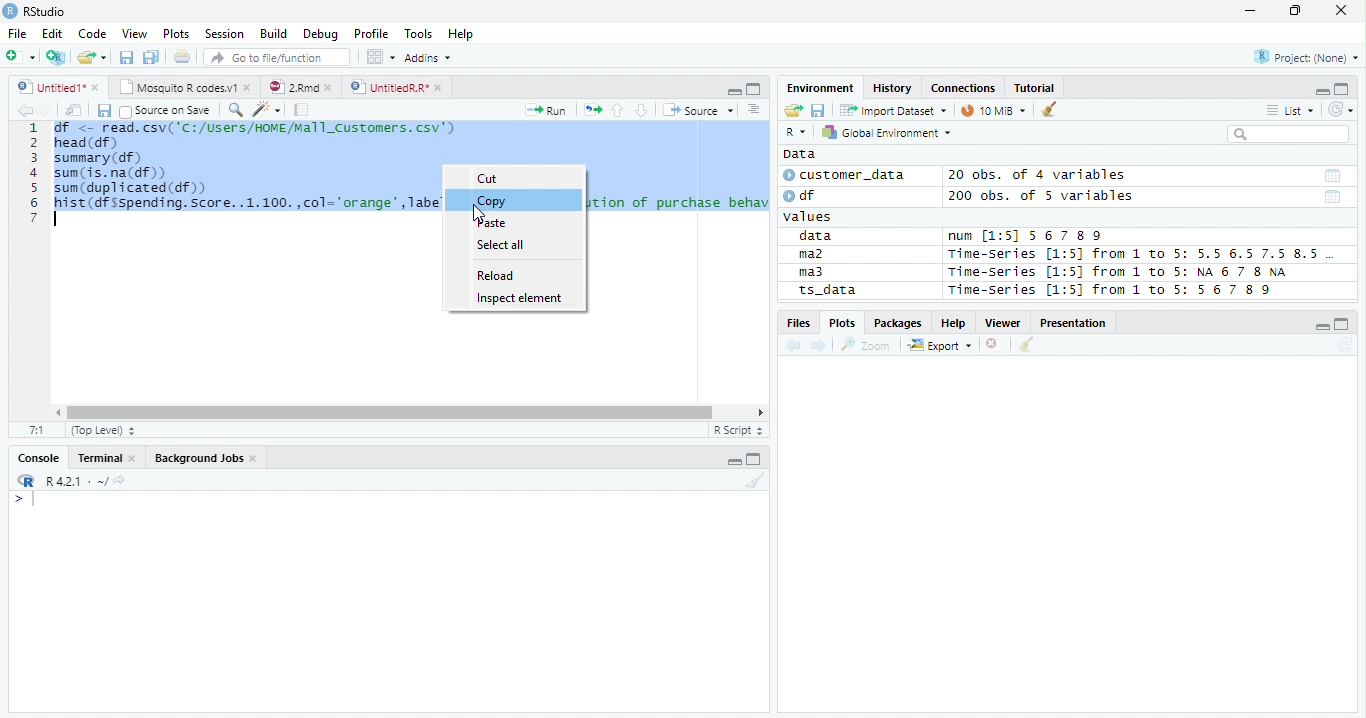 Image resolution: width=1366 pixels, height=718 pixels. I want to click on Close, so click(1340, 11).